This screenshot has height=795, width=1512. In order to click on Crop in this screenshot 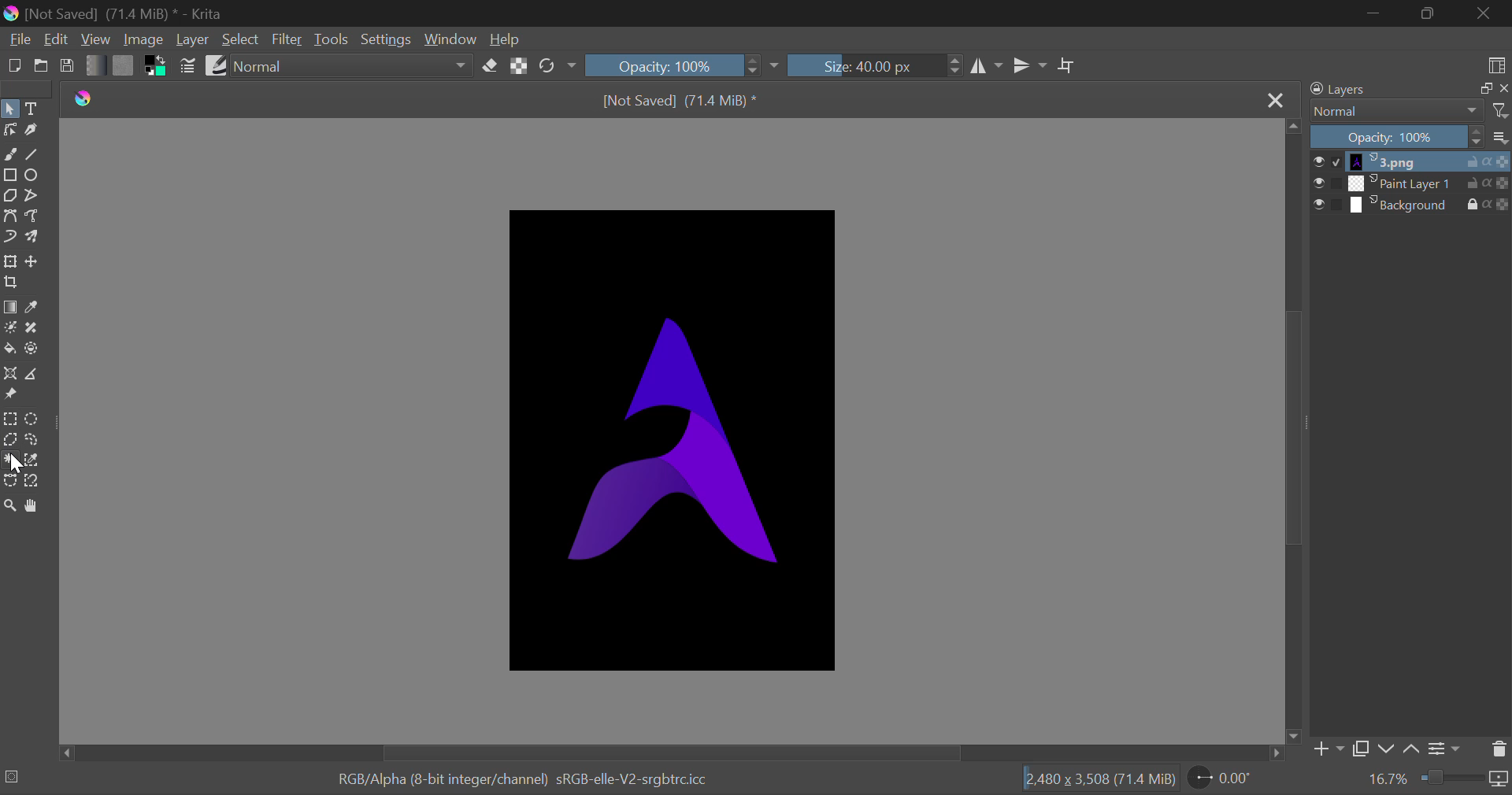, I will do `click(1069, 67)`.